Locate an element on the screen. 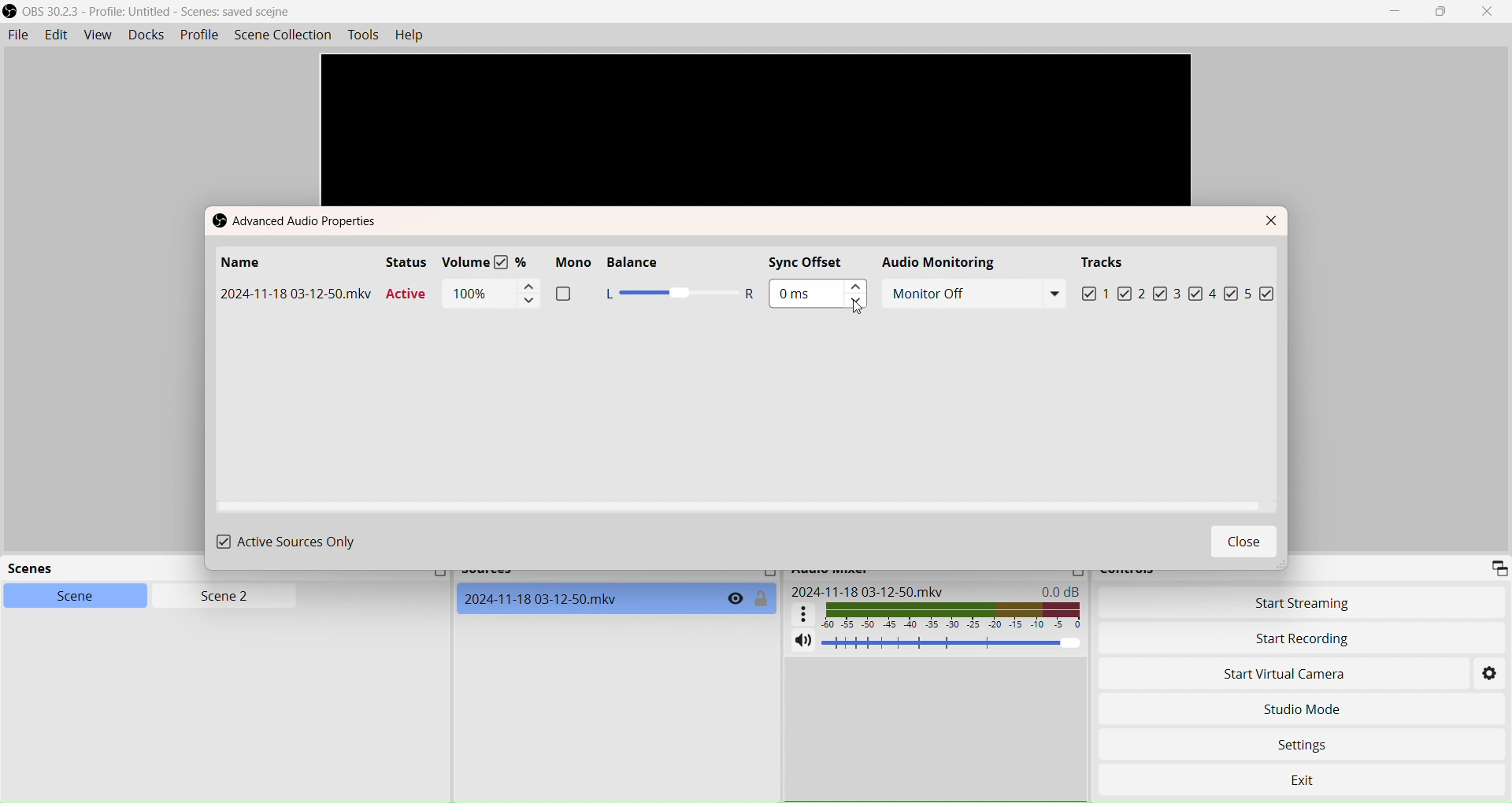  Mute/Unmute is located at coordinates (802, 642).